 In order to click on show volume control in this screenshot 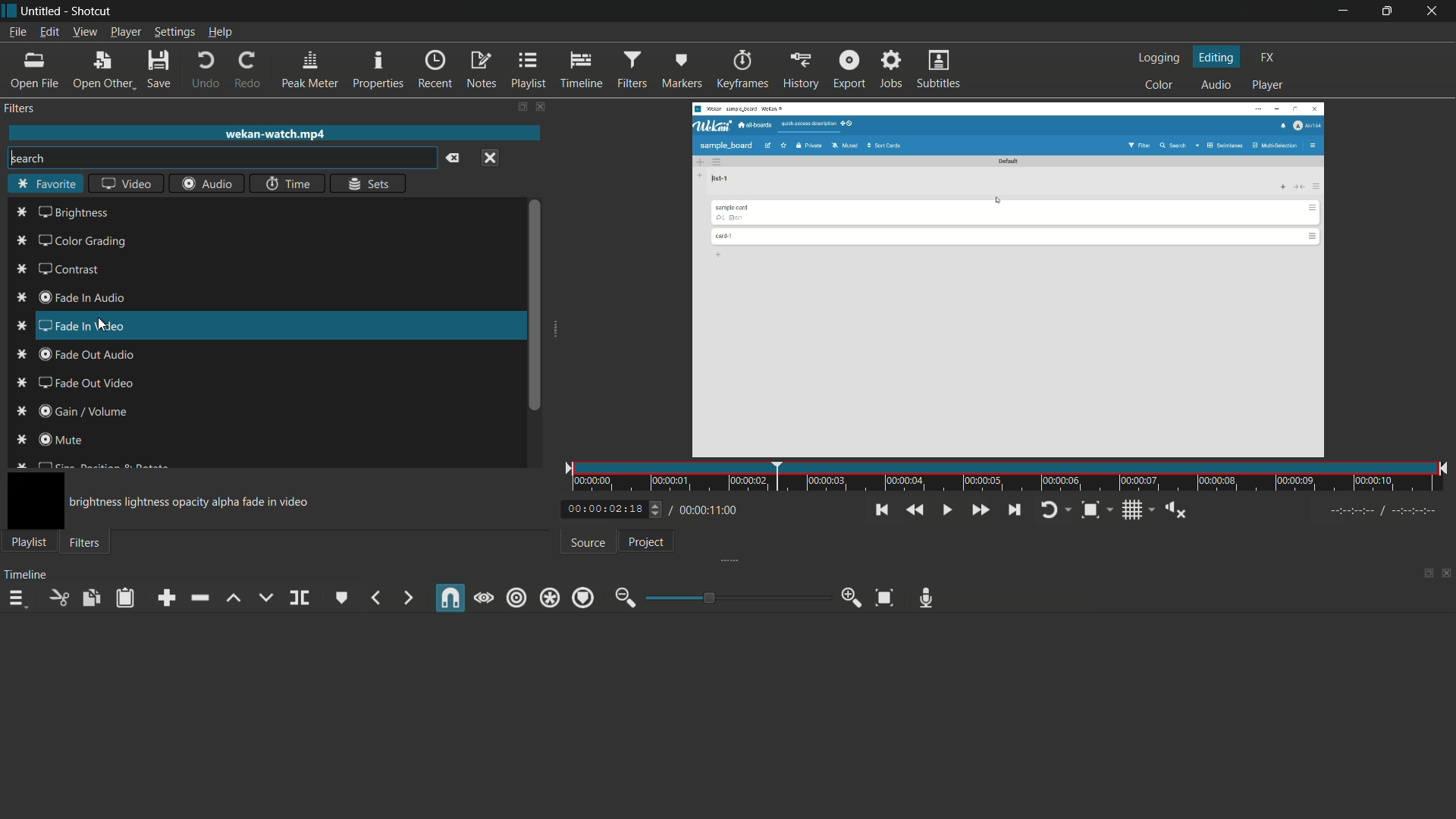, I will do `click(1177, 511)`.